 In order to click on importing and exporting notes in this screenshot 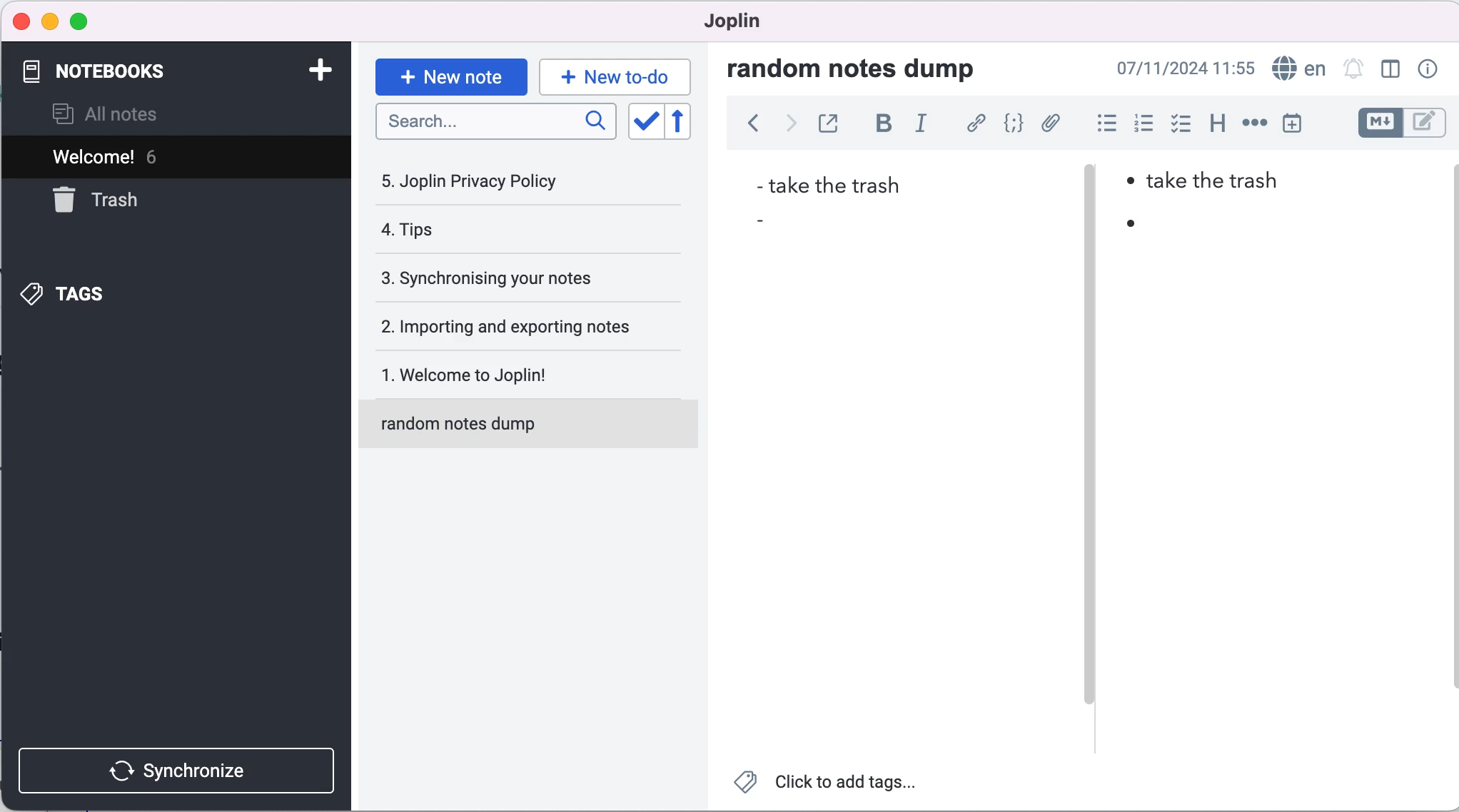, I will do `click(515, 325)`.